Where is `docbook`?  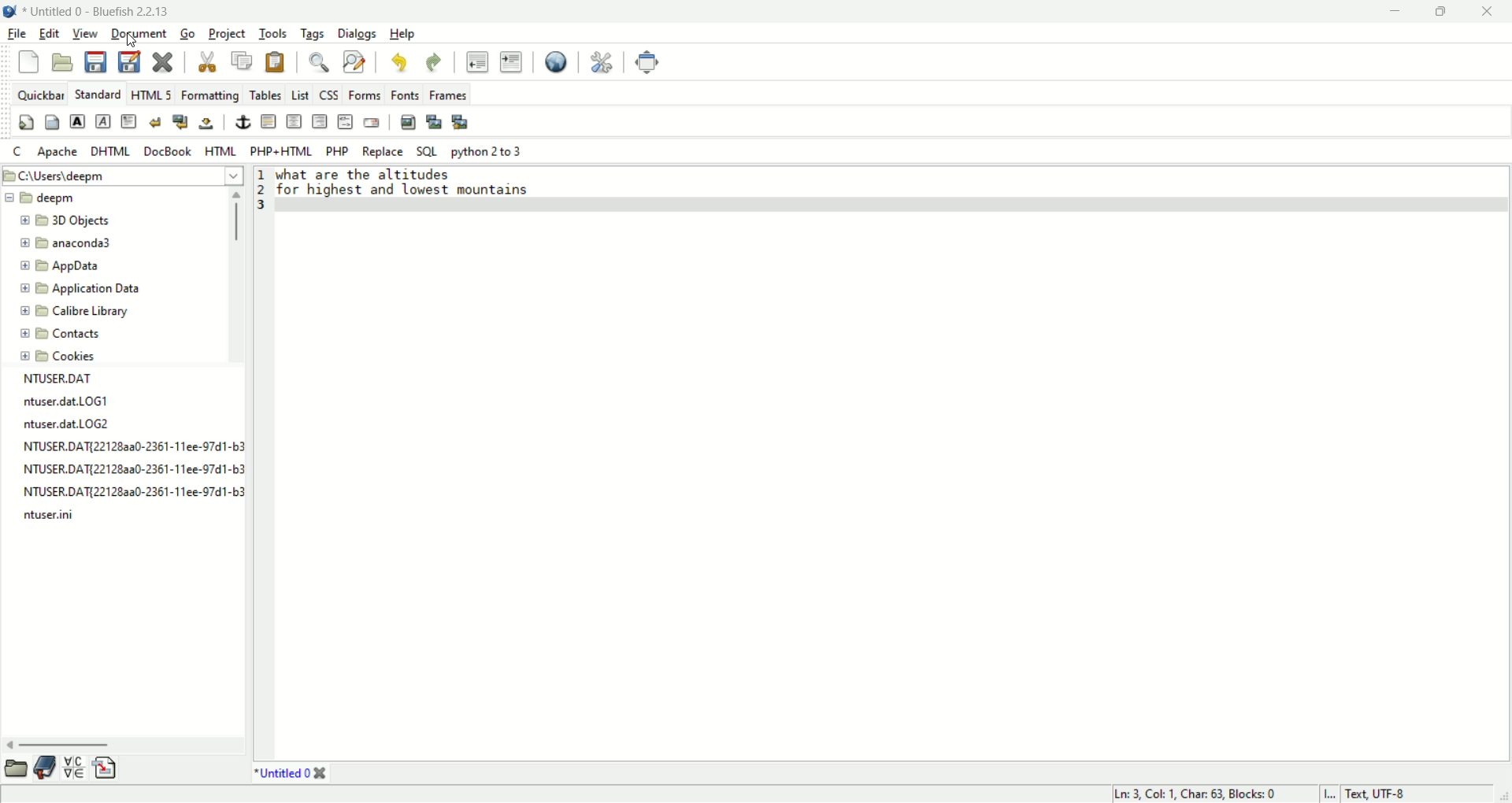
docbook is located at coordinates (169, 151).